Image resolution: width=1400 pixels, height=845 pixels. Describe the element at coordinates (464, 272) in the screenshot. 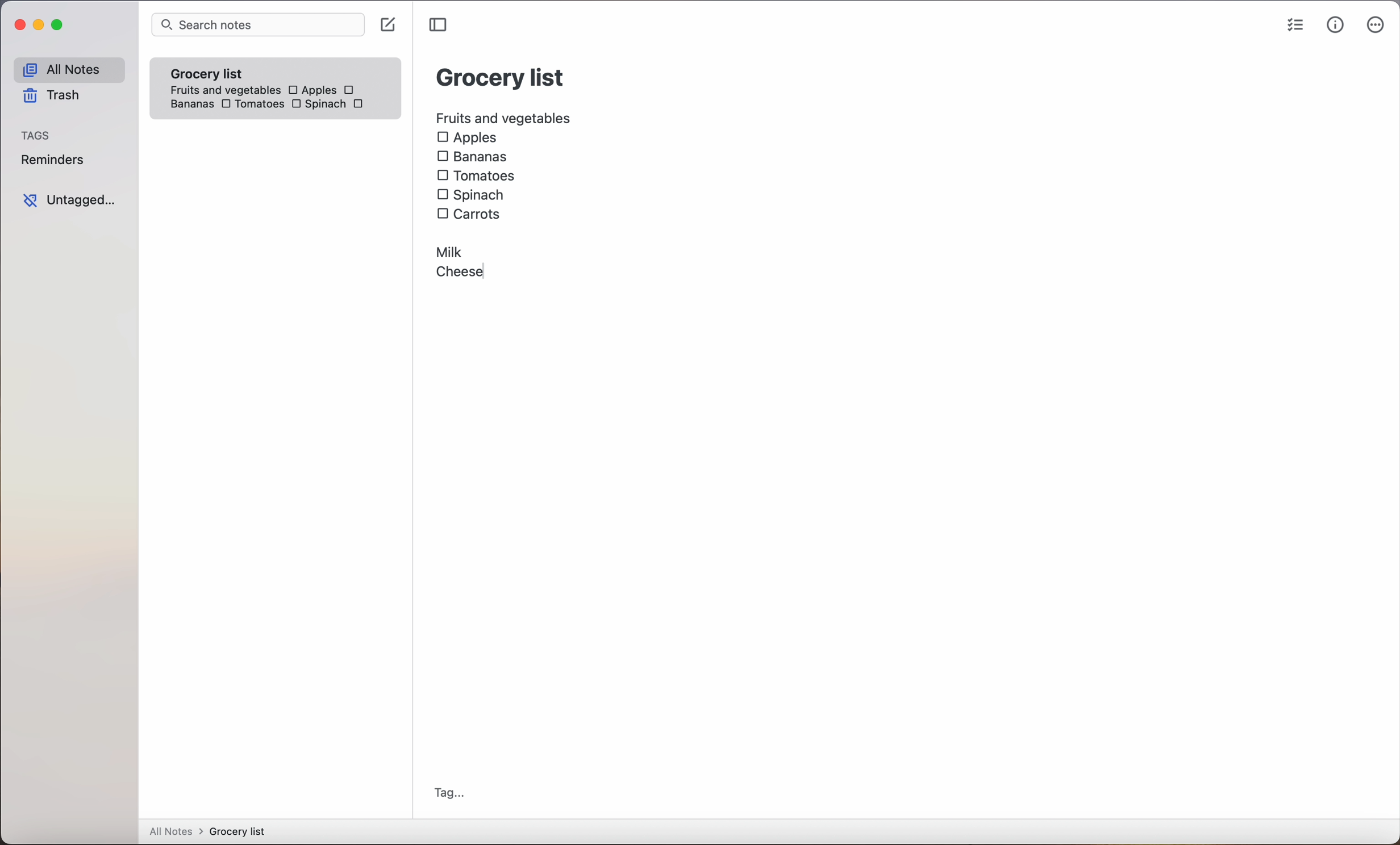

I see `Cheese` at that location.